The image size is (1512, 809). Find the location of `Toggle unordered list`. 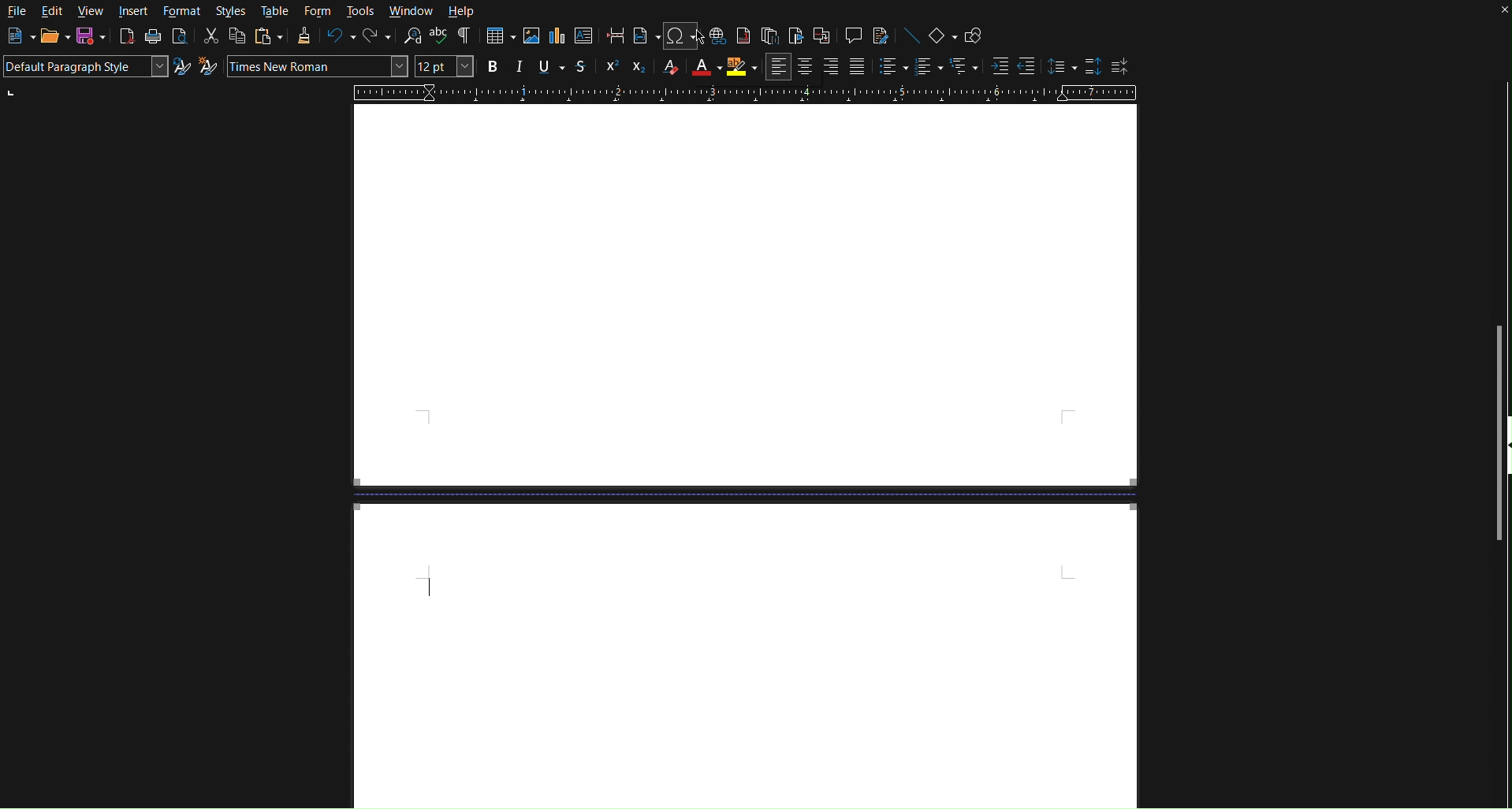

Toggle unordered list is located at coordinates (888, 67).